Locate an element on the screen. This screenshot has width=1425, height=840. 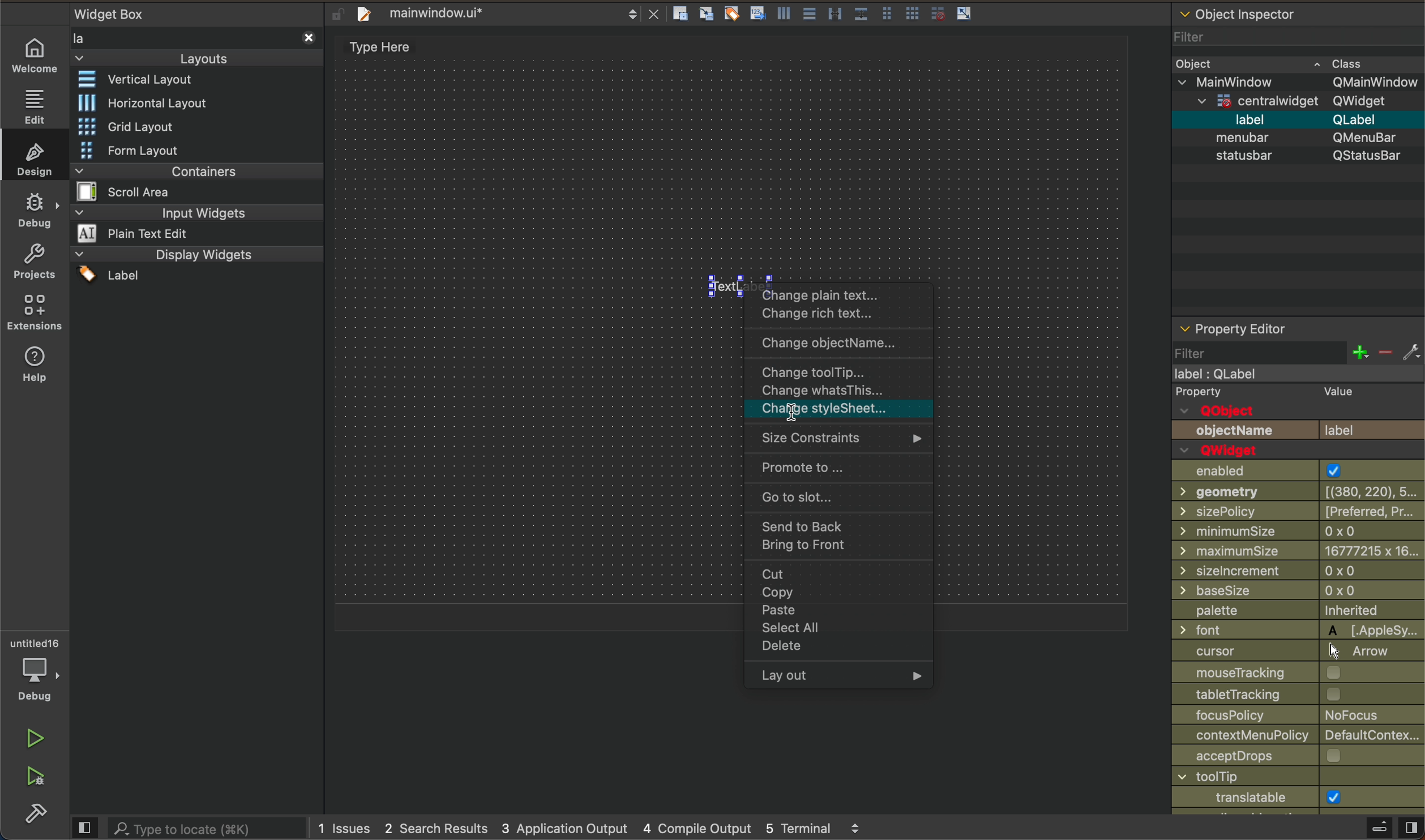
tooltip is located at coordinates (838, 373).